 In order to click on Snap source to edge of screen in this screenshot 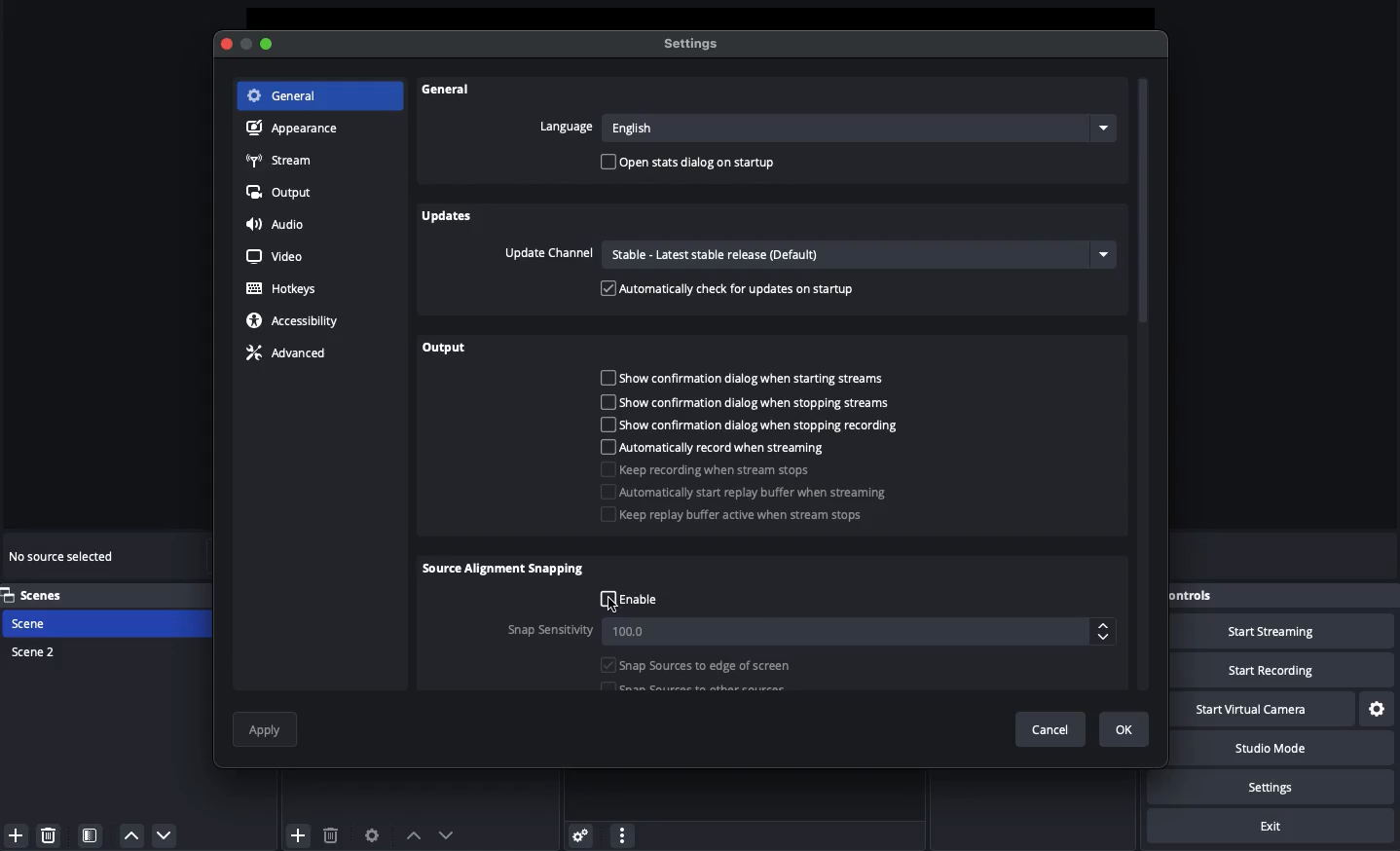, I will do `click(702, 667)`.